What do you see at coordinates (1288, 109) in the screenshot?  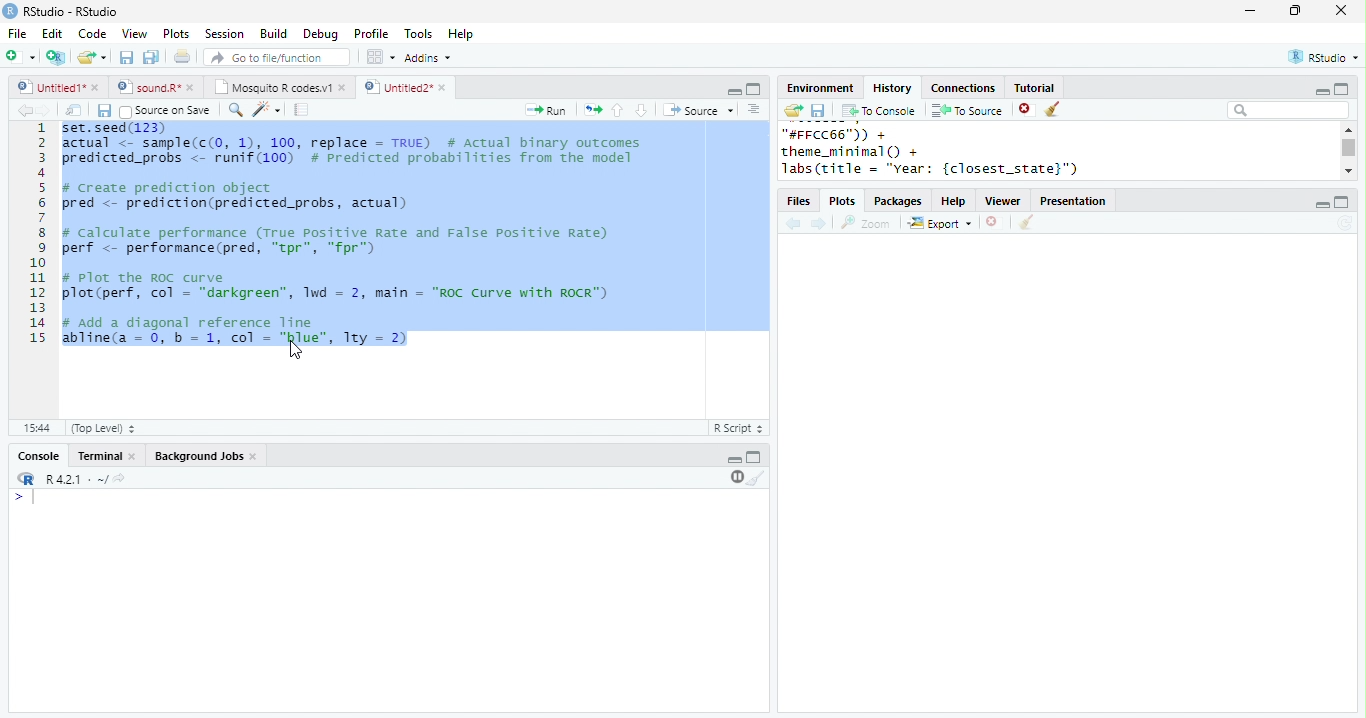 I see `search bar` at bounding box center [1288, 109].